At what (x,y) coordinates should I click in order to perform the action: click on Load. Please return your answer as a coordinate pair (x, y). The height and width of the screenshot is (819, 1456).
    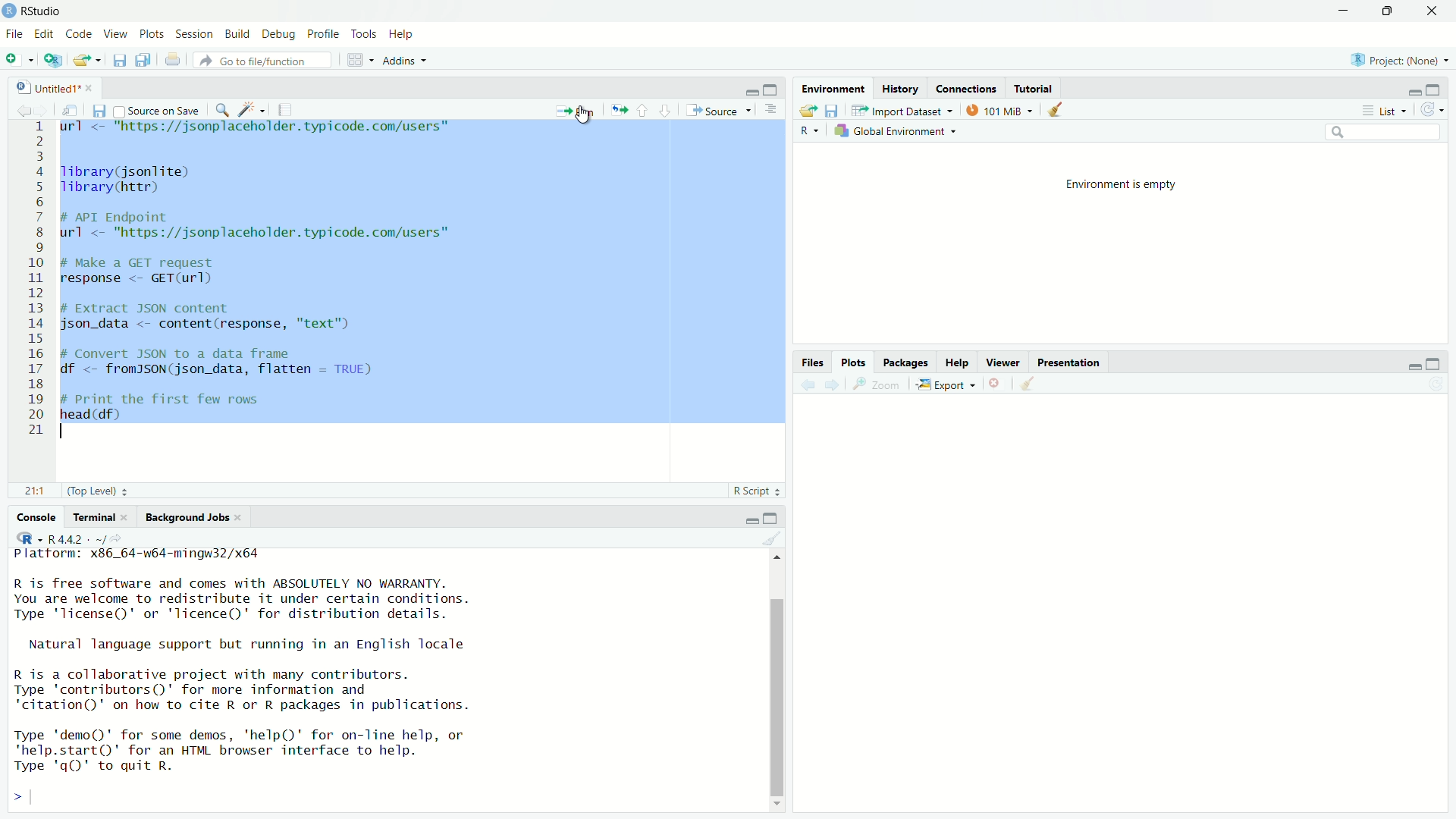
    Looking at the image, I should click on (808, 111).